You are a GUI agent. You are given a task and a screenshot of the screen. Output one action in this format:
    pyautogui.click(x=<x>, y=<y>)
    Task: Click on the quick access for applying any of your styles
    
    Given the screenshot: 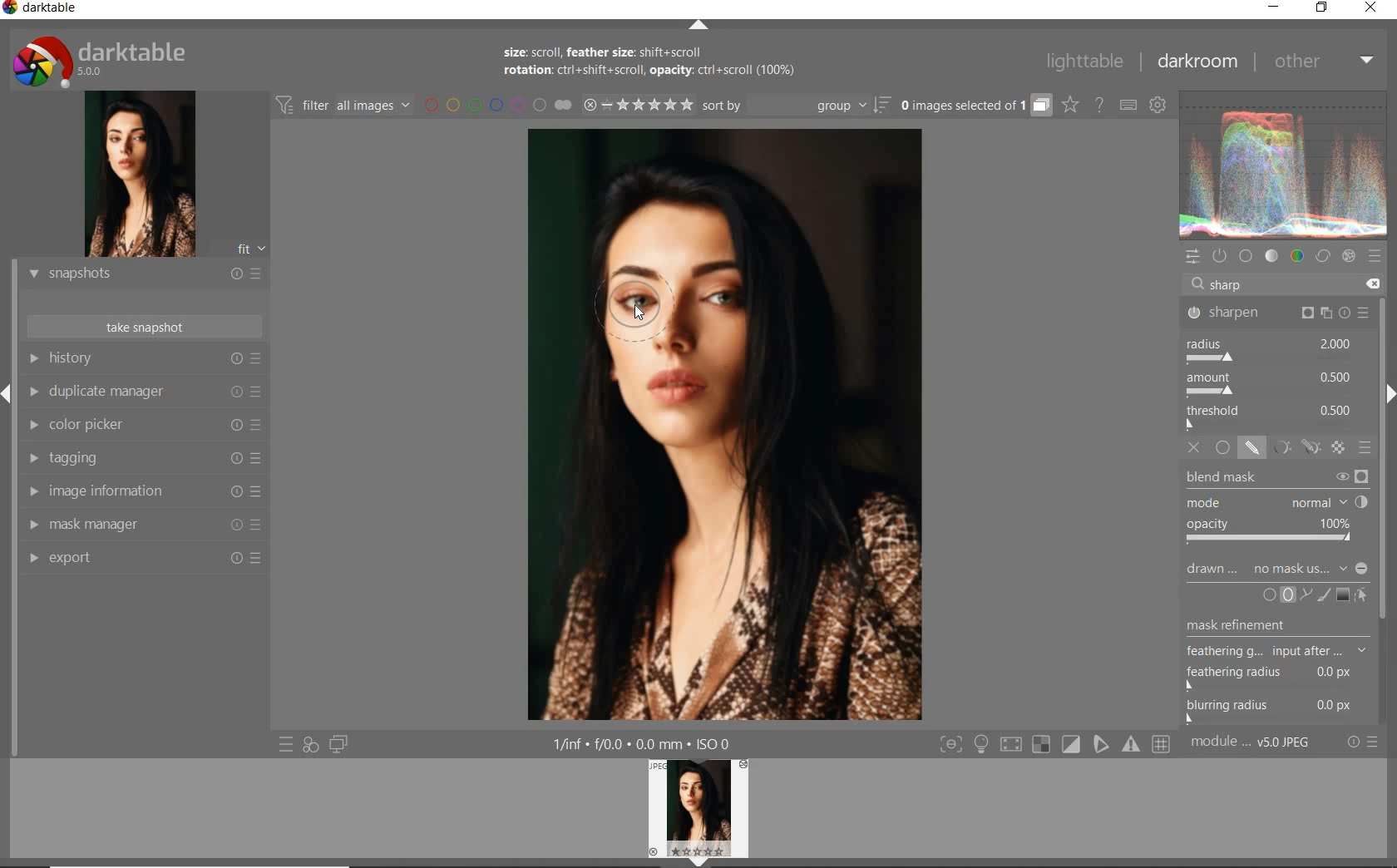 What is the action you would take?
    pyautogui.click(x=310, y=745)
    